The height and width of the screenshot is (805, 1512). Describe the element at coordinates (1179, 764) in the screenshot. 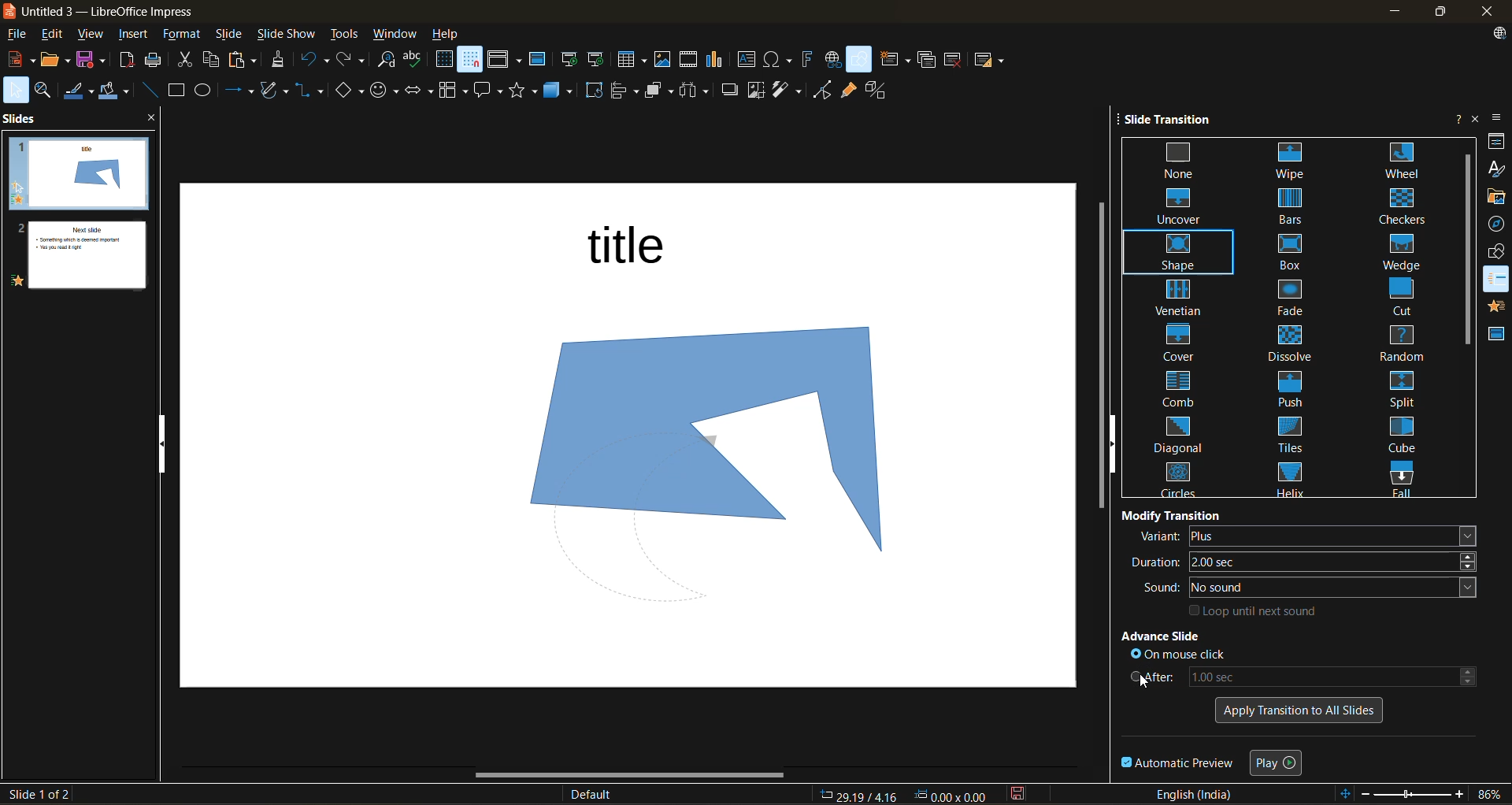

I see `automatic preview` at that location.